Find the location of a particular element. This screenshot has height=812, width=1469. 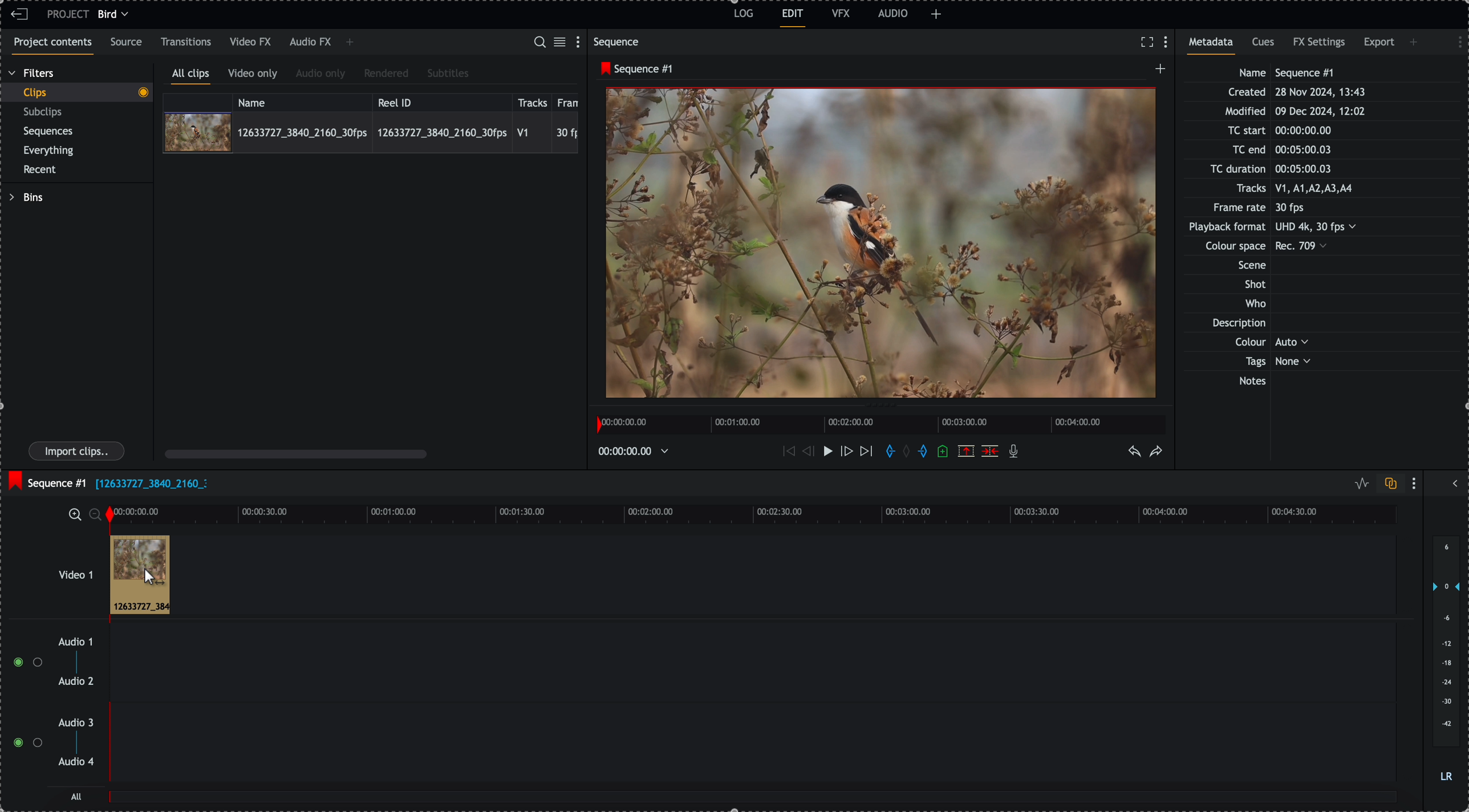

name is located at coordinates (302, 101).